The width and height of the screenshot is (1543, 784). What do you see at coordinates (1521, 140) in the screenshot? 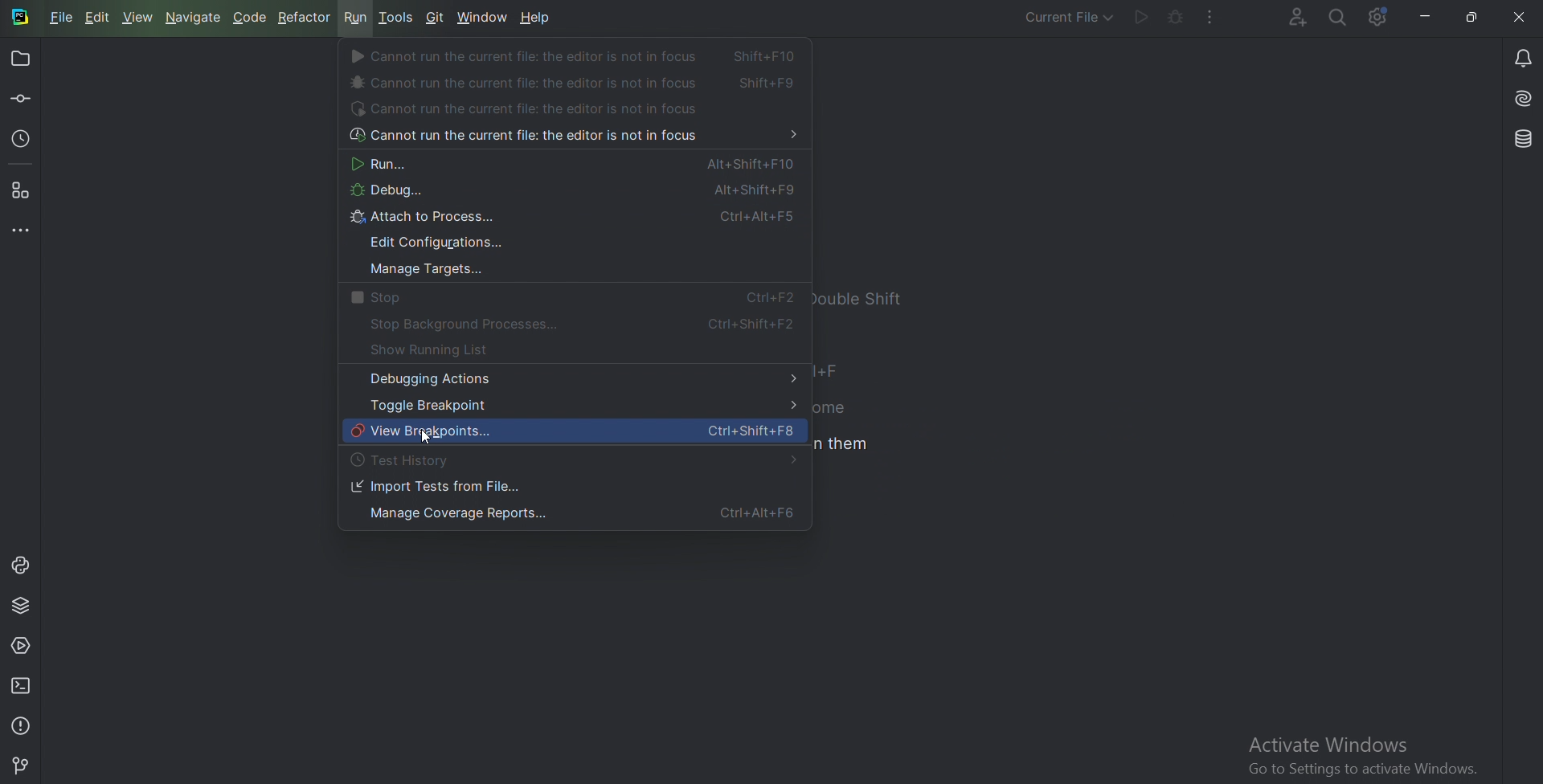
I see `Database` at bounding box center [1521, 140].